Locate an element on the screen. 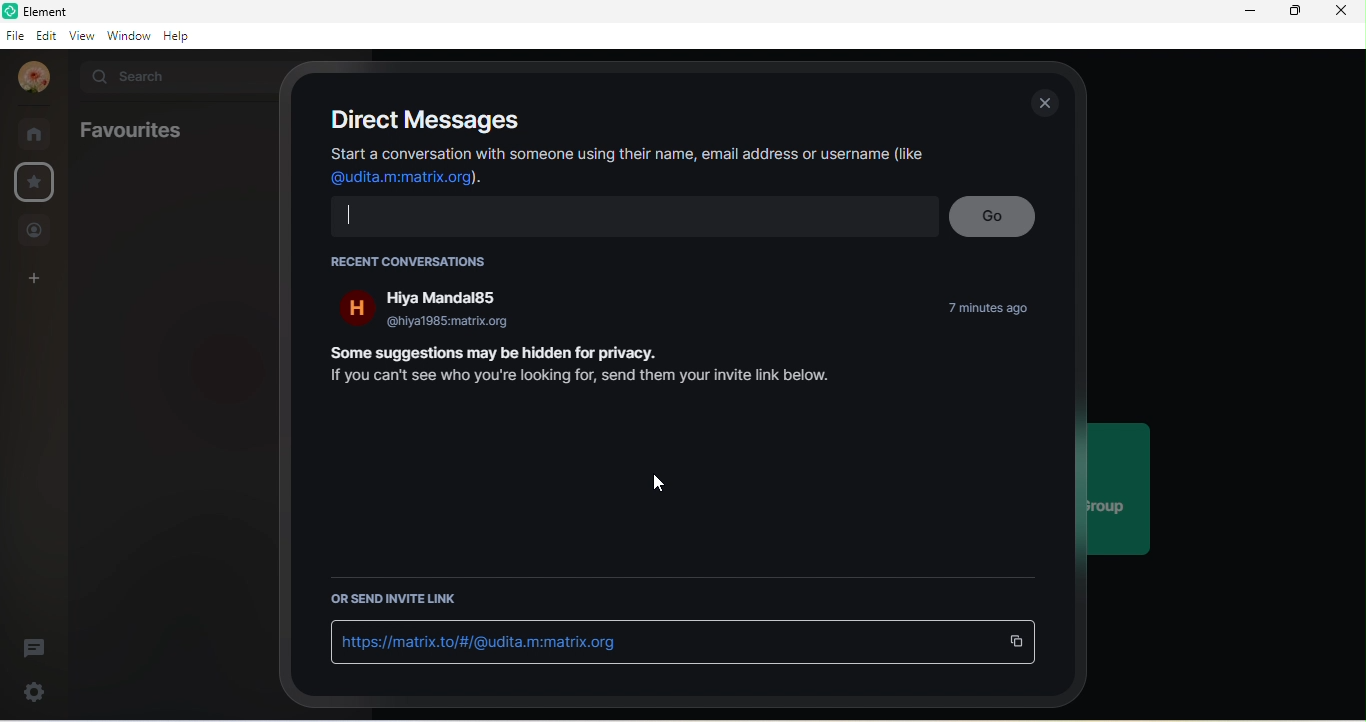  Some suggestions may be hidden for privacy If you can't see who you're looking for, send them your invite link below. is located at coordinates (577, 364).